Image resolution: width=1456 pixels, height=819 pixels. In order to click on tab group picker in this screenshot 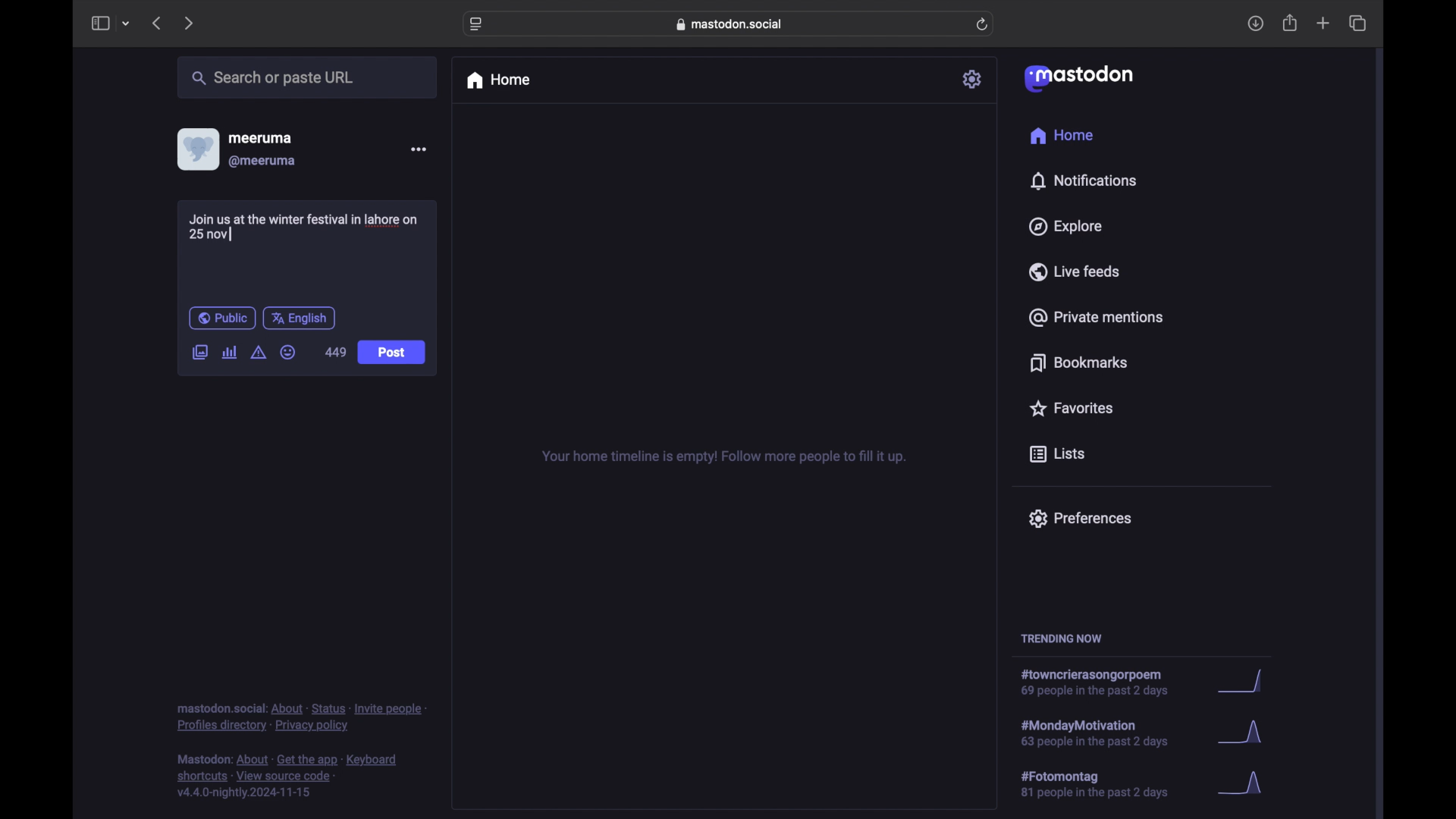, I will do `click(126, 24)`.